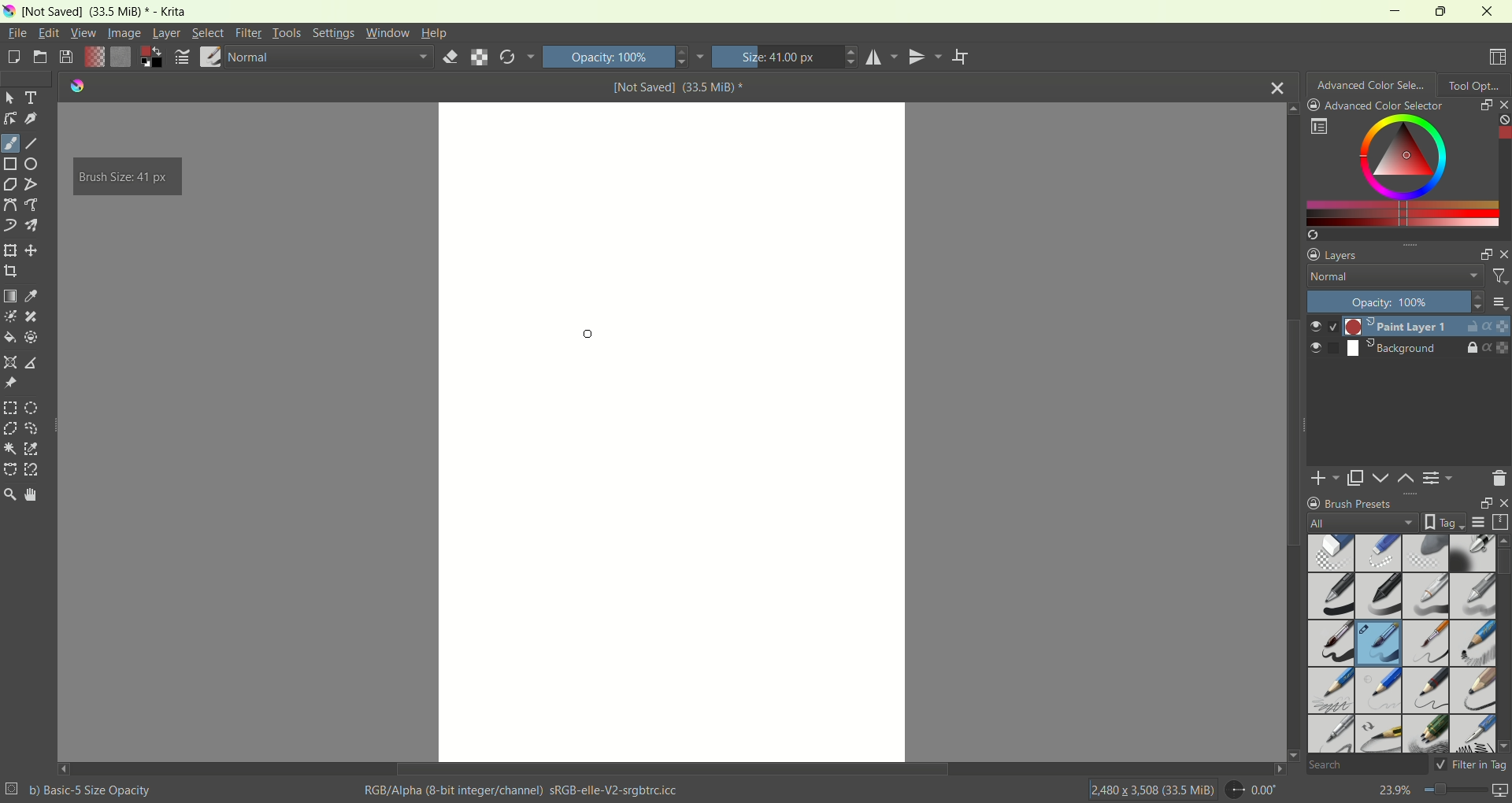 The width and height of the screenshot is (1512, 803). What do you see at coordinates (1481, 503) in the screenshot?
I see `float docker` at bounding box center [1481, 503].